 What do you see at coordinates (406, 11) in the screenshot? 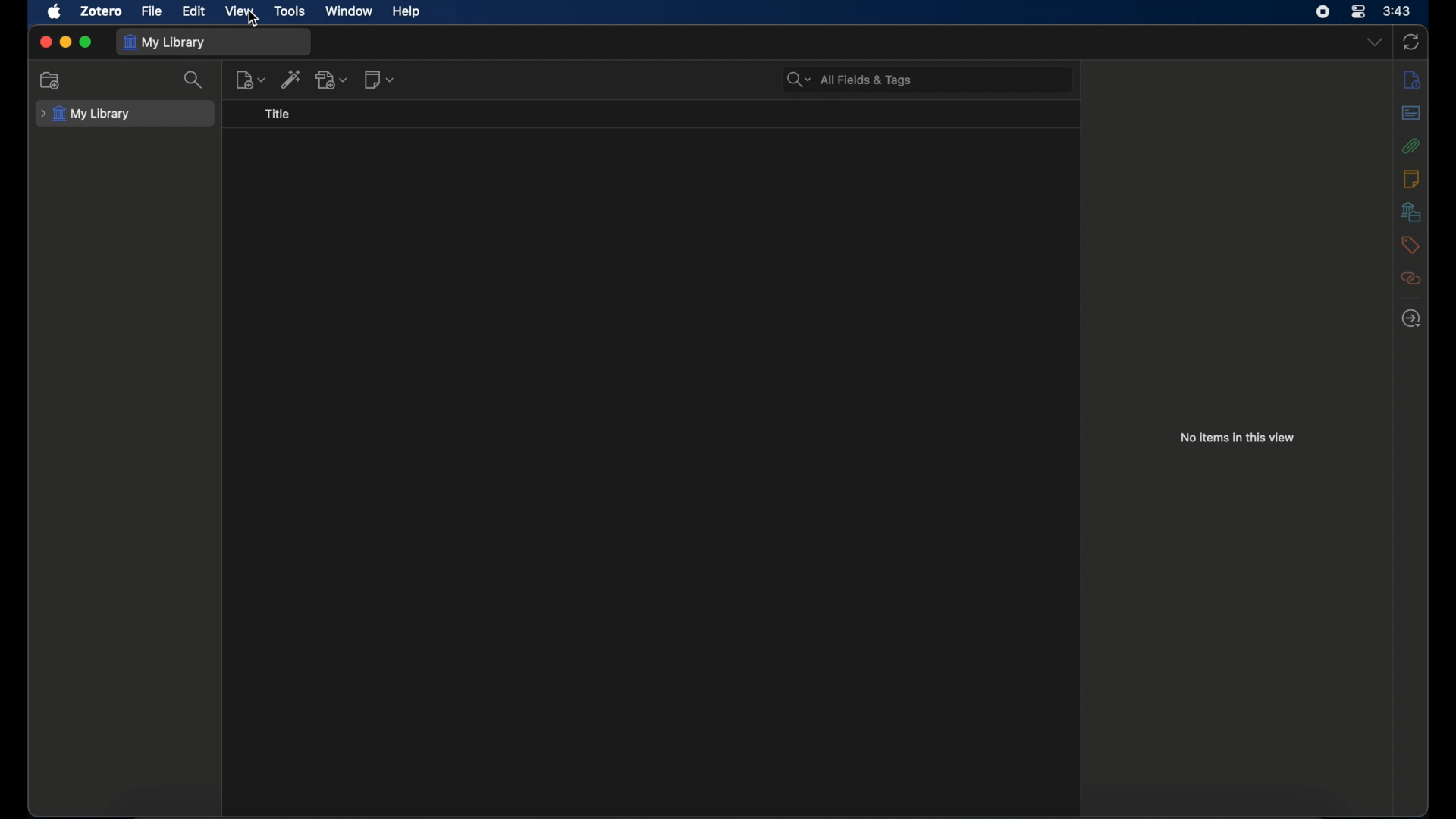
I see `help` at bounding box center [406, 11].